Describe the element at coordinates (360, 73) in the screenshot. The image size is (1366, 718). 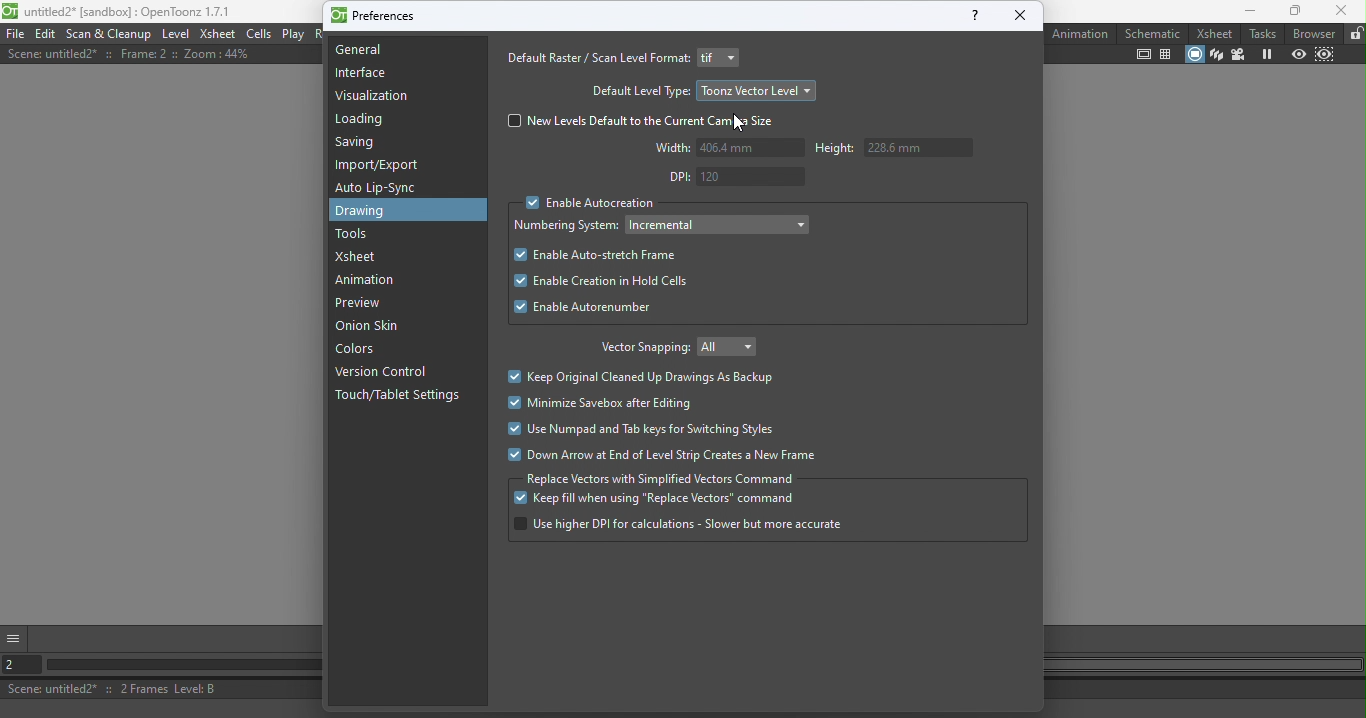
I see `Interface` at that location.